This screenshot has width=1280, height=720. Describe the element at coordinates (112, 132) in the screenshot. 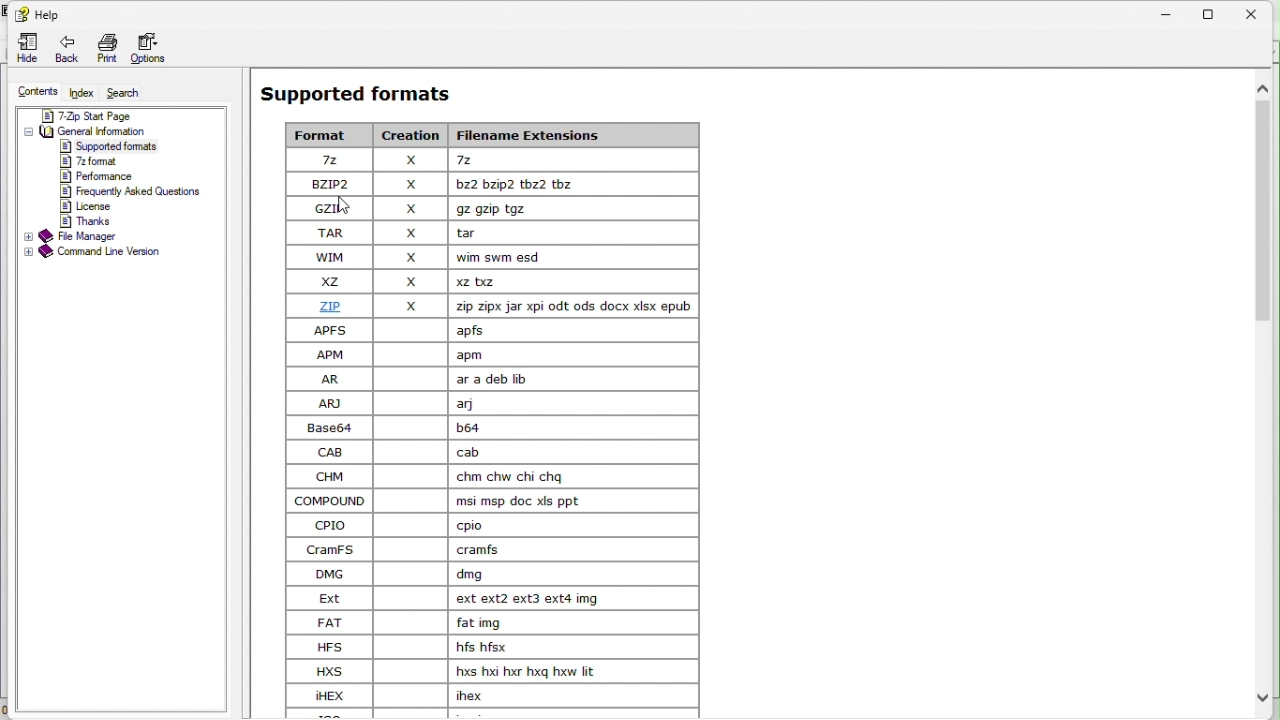

I see `General information` at that location.